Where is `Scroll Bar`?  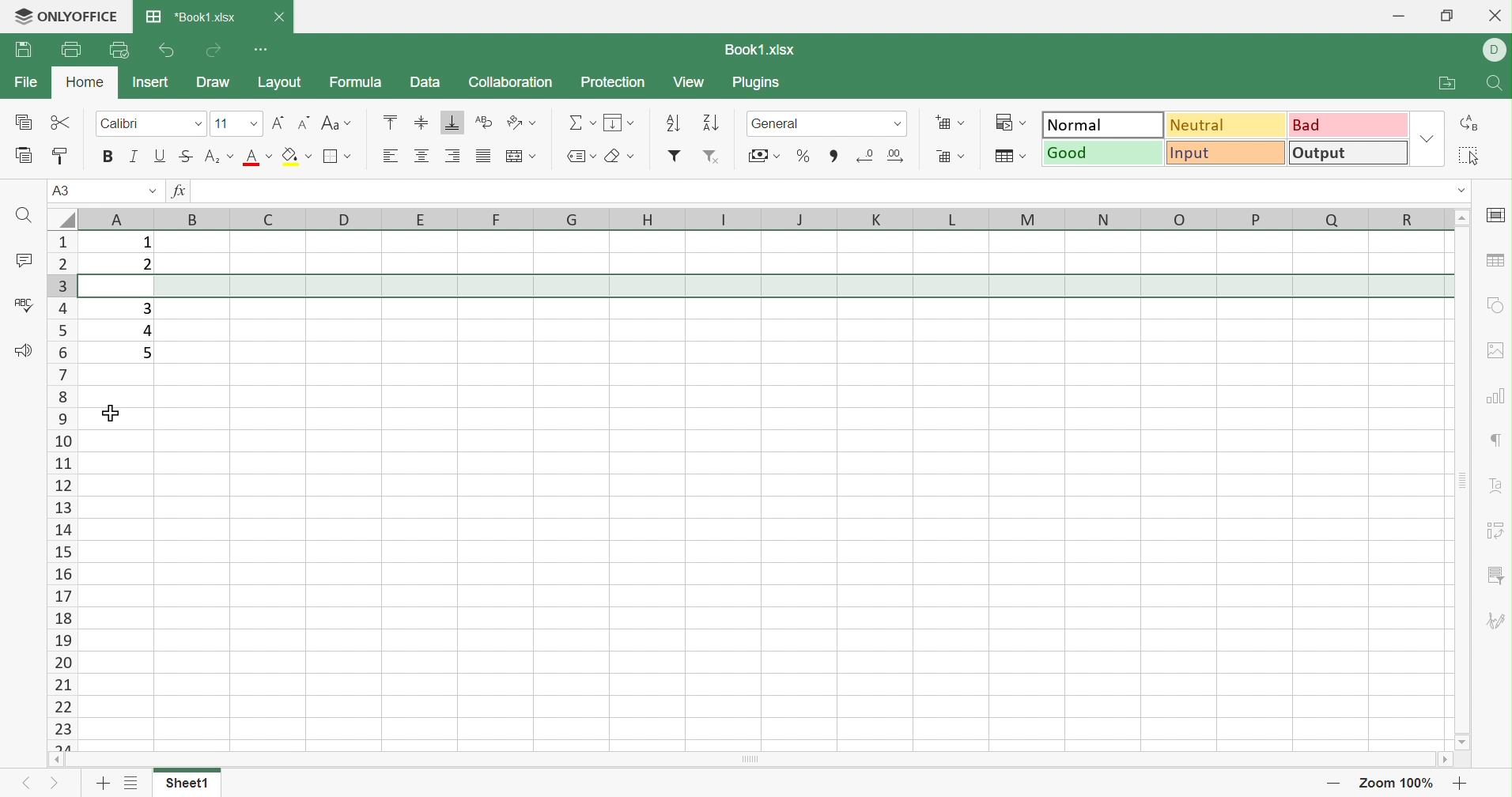
Scroll Bar is located at coordinates (754, 759).